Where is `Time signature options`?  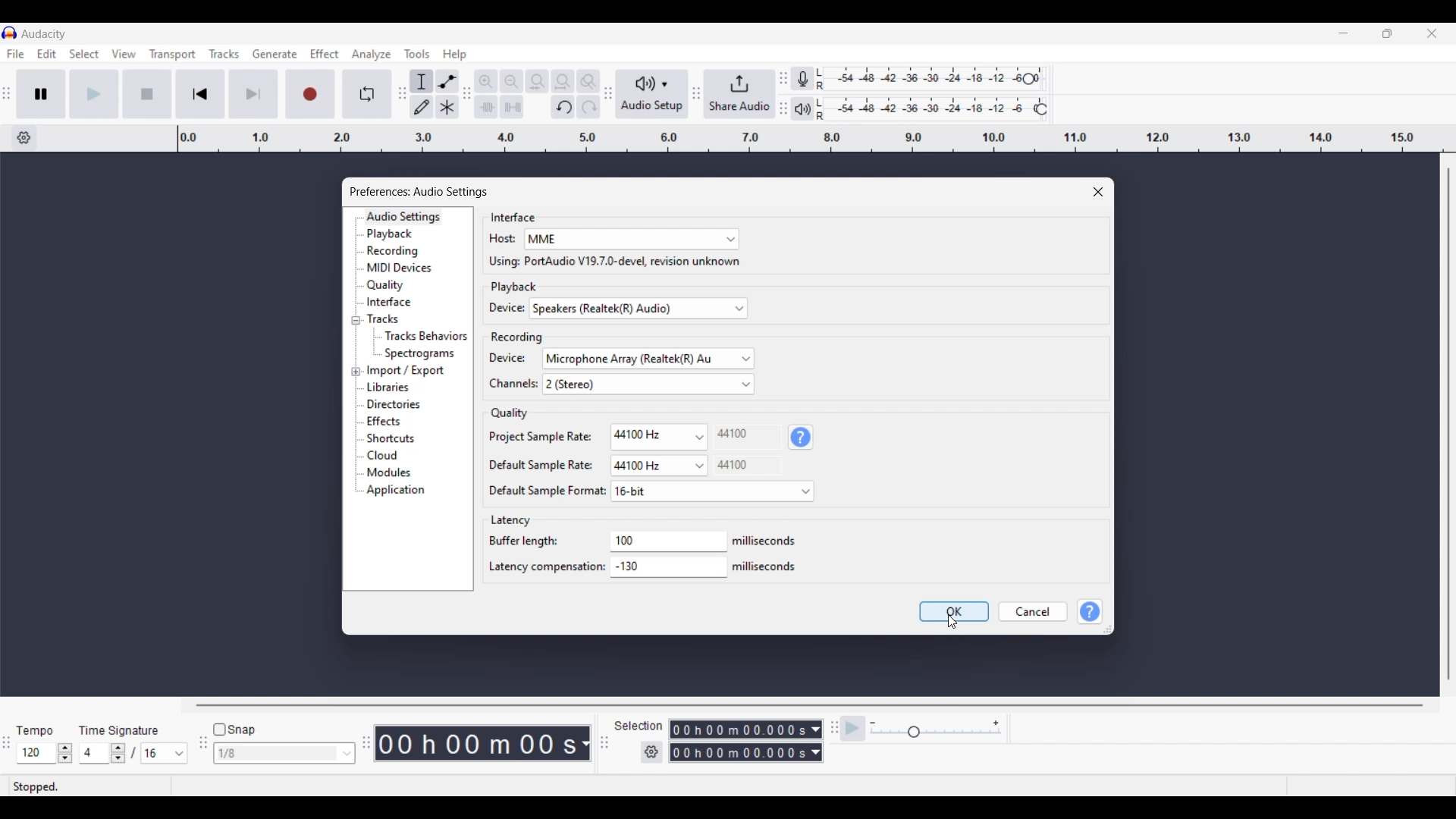
Time signature options is located at coordinates (180, 754).